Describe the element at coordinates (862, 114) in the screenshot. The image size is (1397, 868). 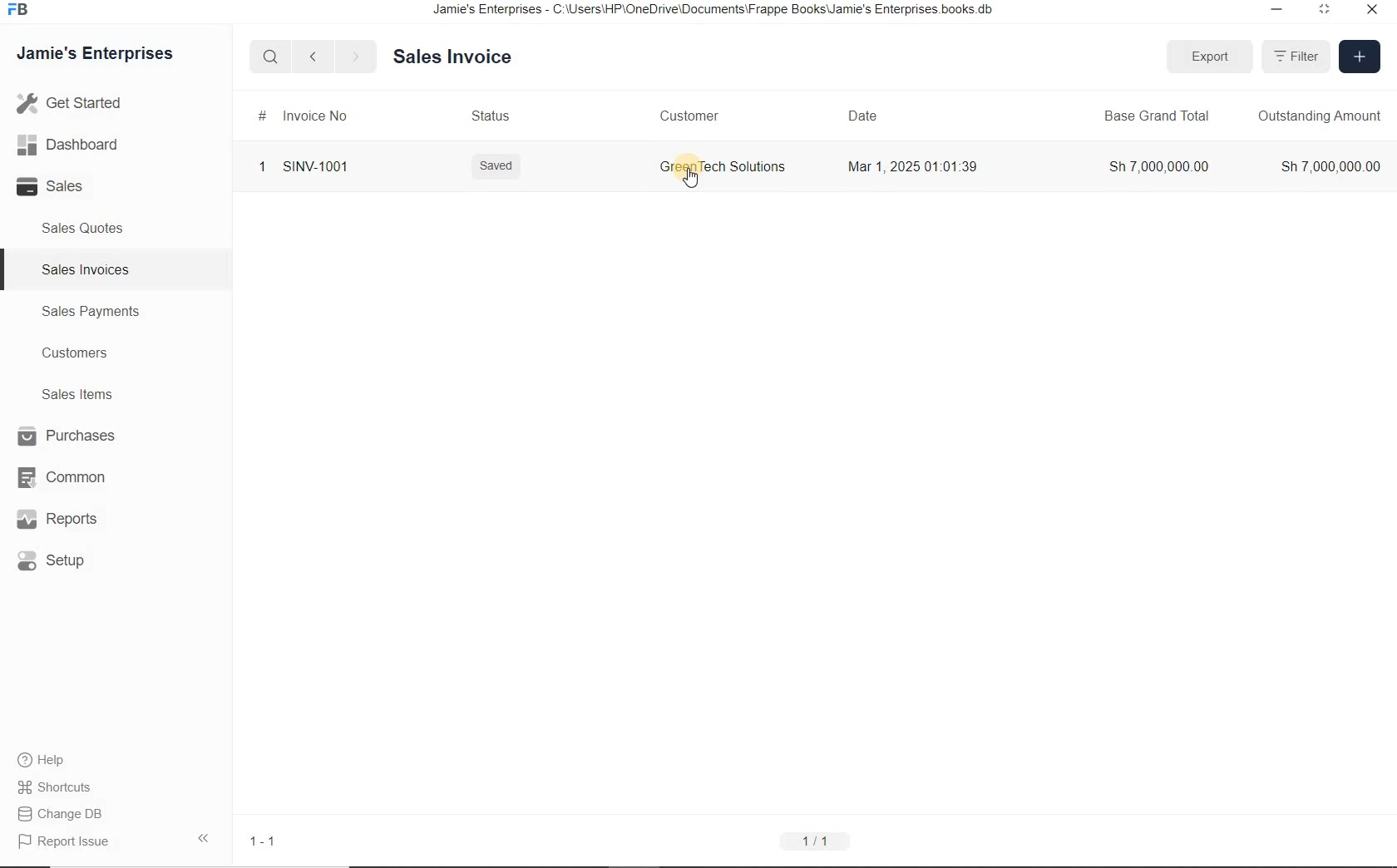
I see `Date` at that location.